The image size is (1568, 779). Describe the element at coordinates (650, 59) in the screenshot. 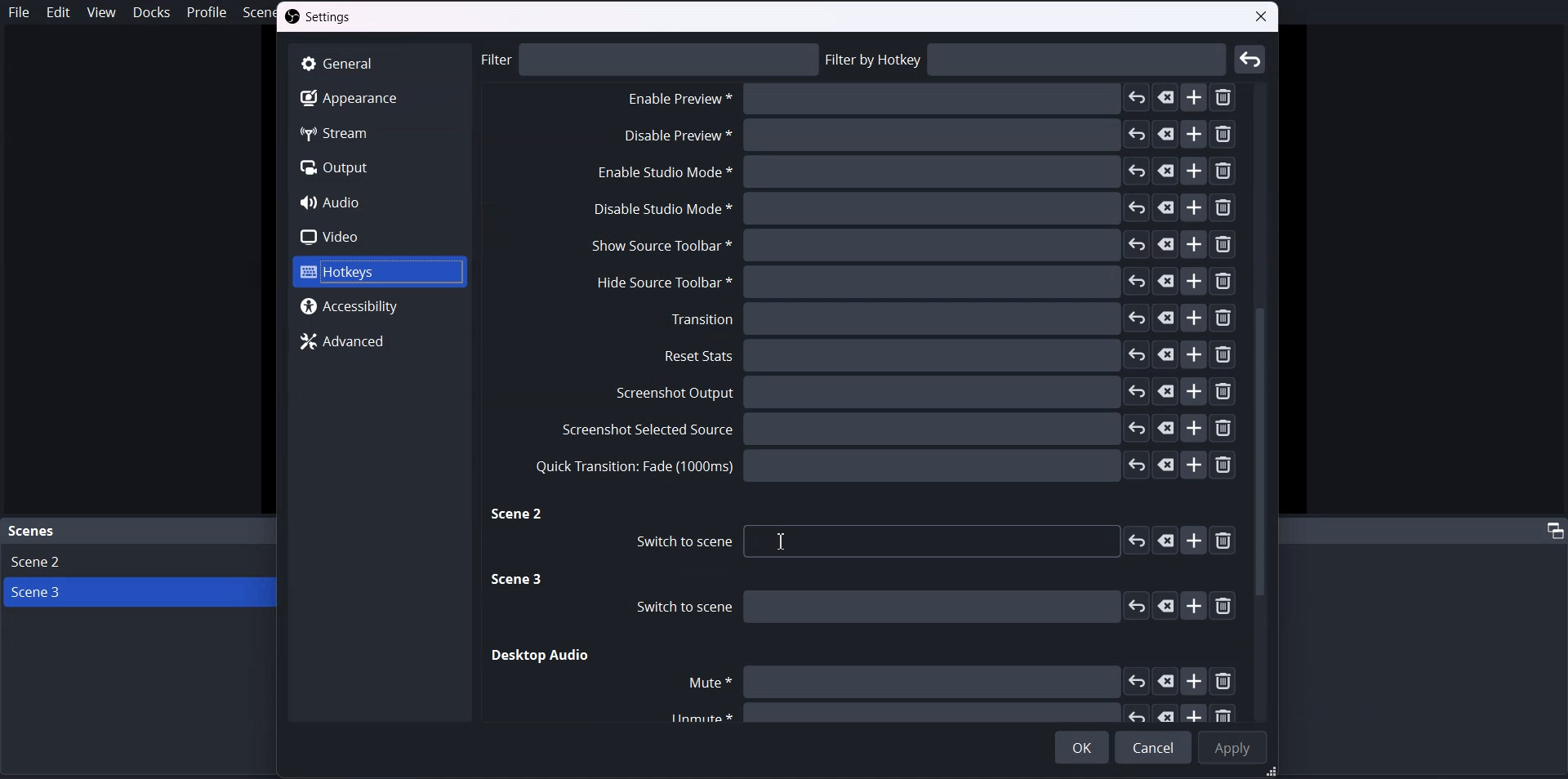

I see `philtre` at that location.